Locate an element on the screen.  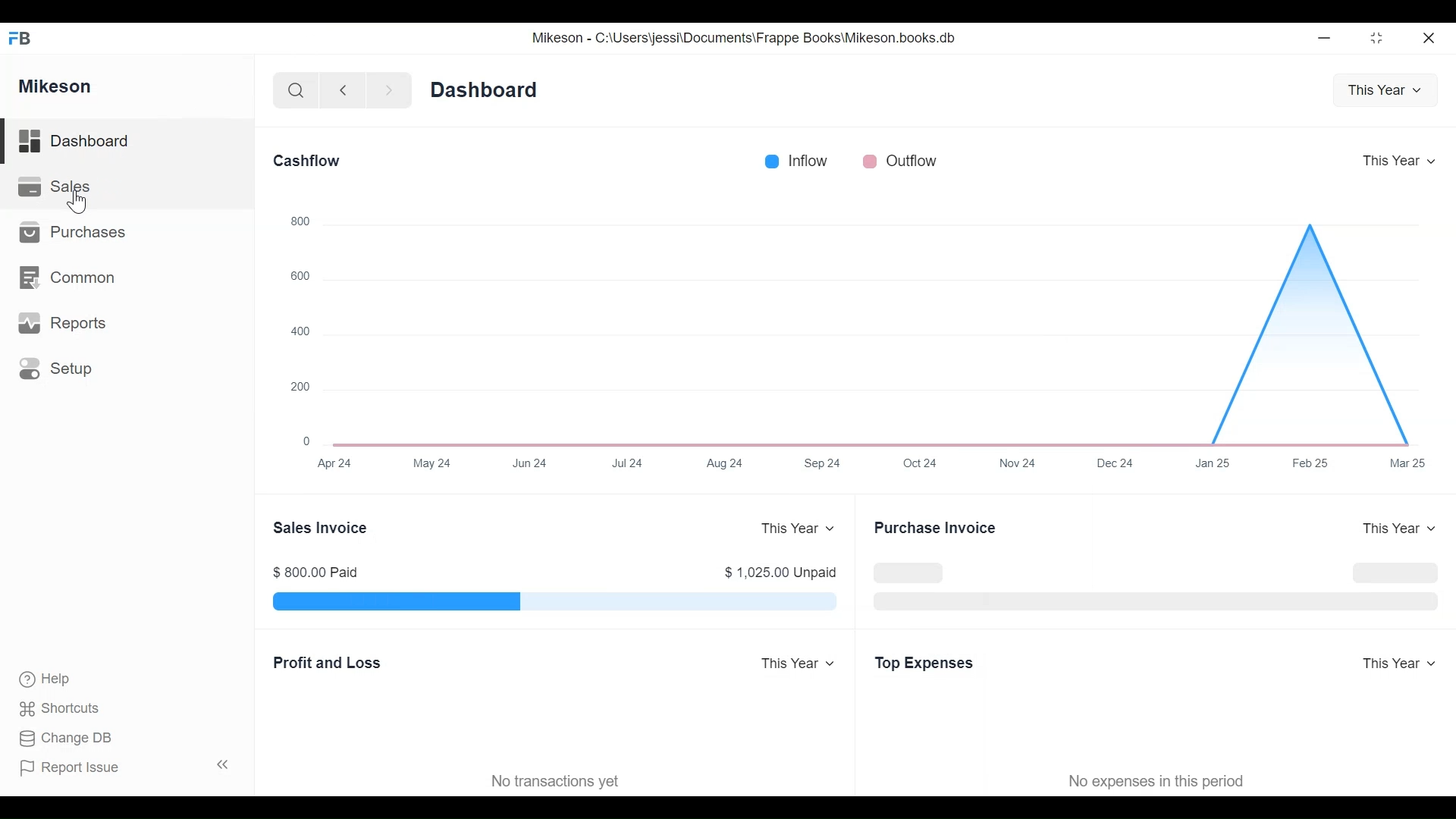
No transactions yet is located at coordinates (560, 782).